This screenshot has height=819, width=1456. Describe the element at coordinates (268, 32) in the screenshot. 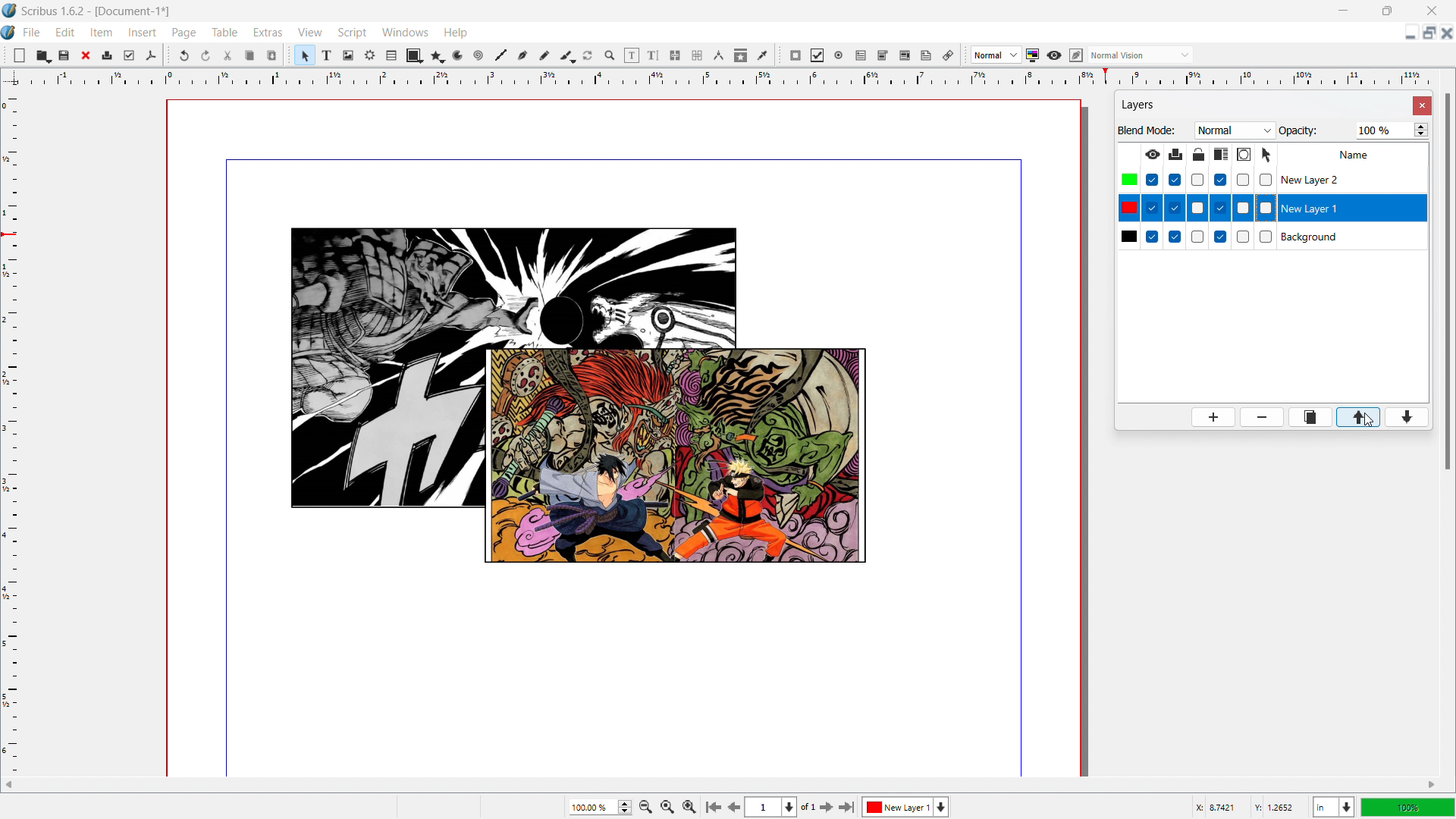

I see `extras` at that location.